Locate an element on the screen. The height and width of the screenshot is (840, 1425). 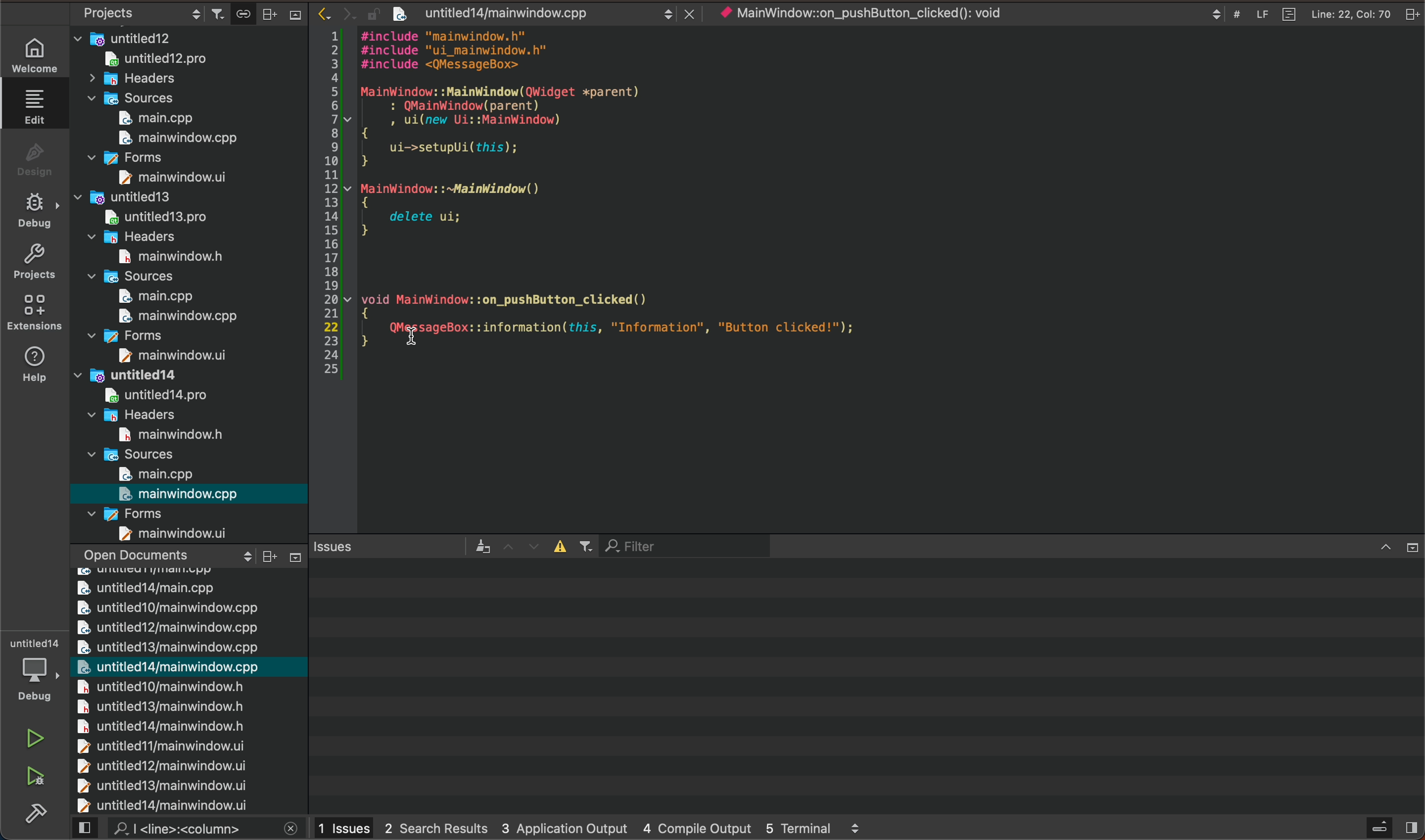
main window is located at coordinates (173, 316).